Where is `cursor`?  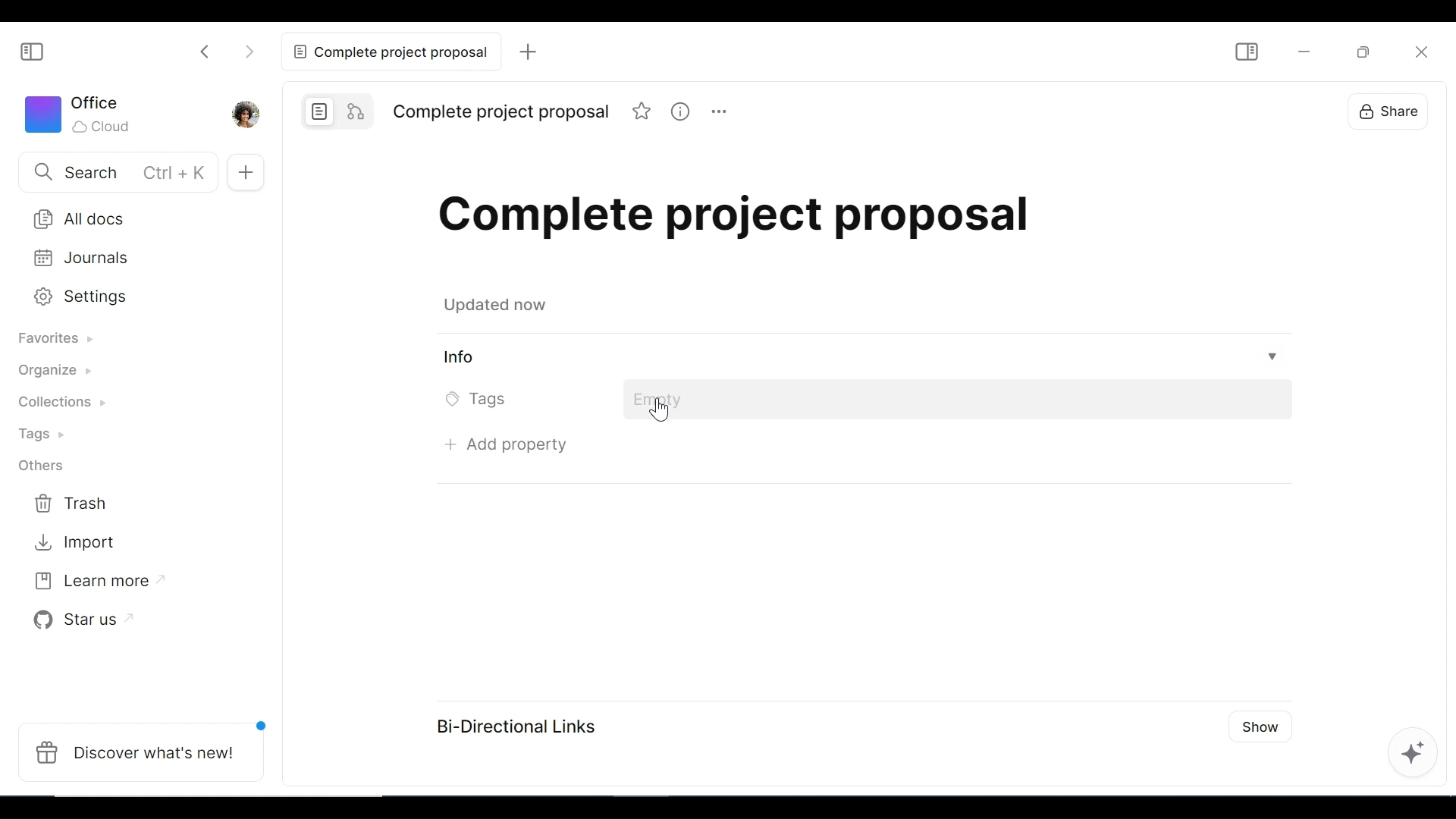
cursor is located at coordinates (658, 413).